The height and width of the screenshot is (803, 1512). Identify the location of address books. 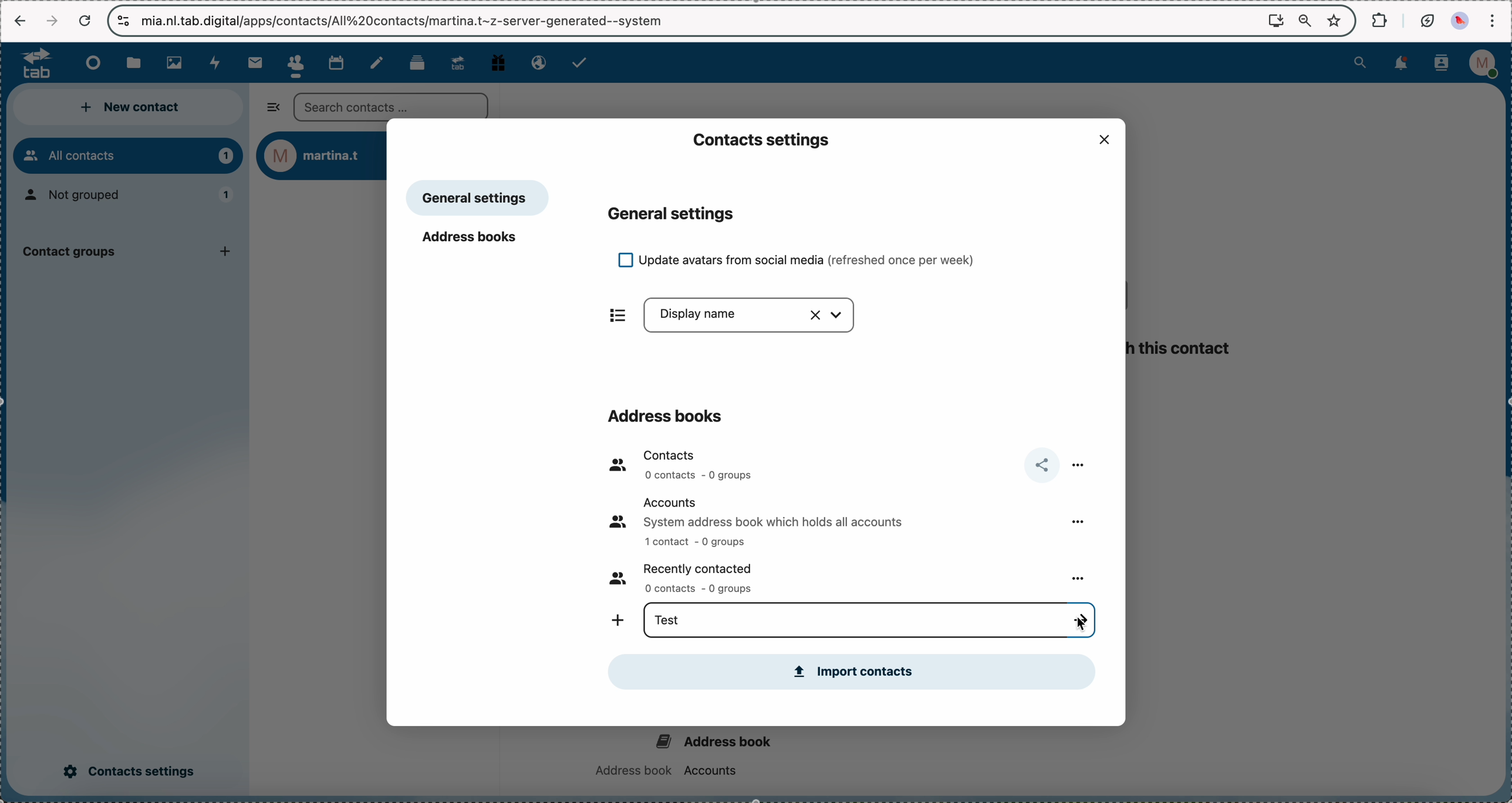
(665, 413).